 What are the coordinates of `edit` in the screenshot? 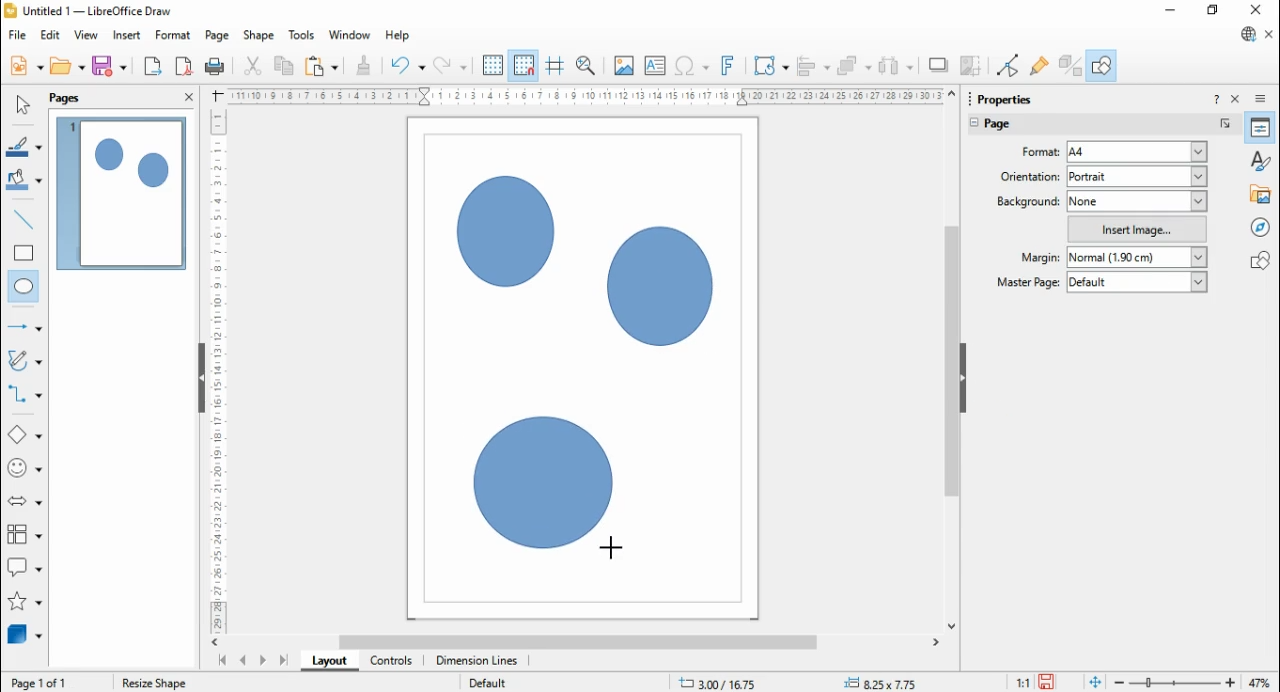 It's located at (50, 35).